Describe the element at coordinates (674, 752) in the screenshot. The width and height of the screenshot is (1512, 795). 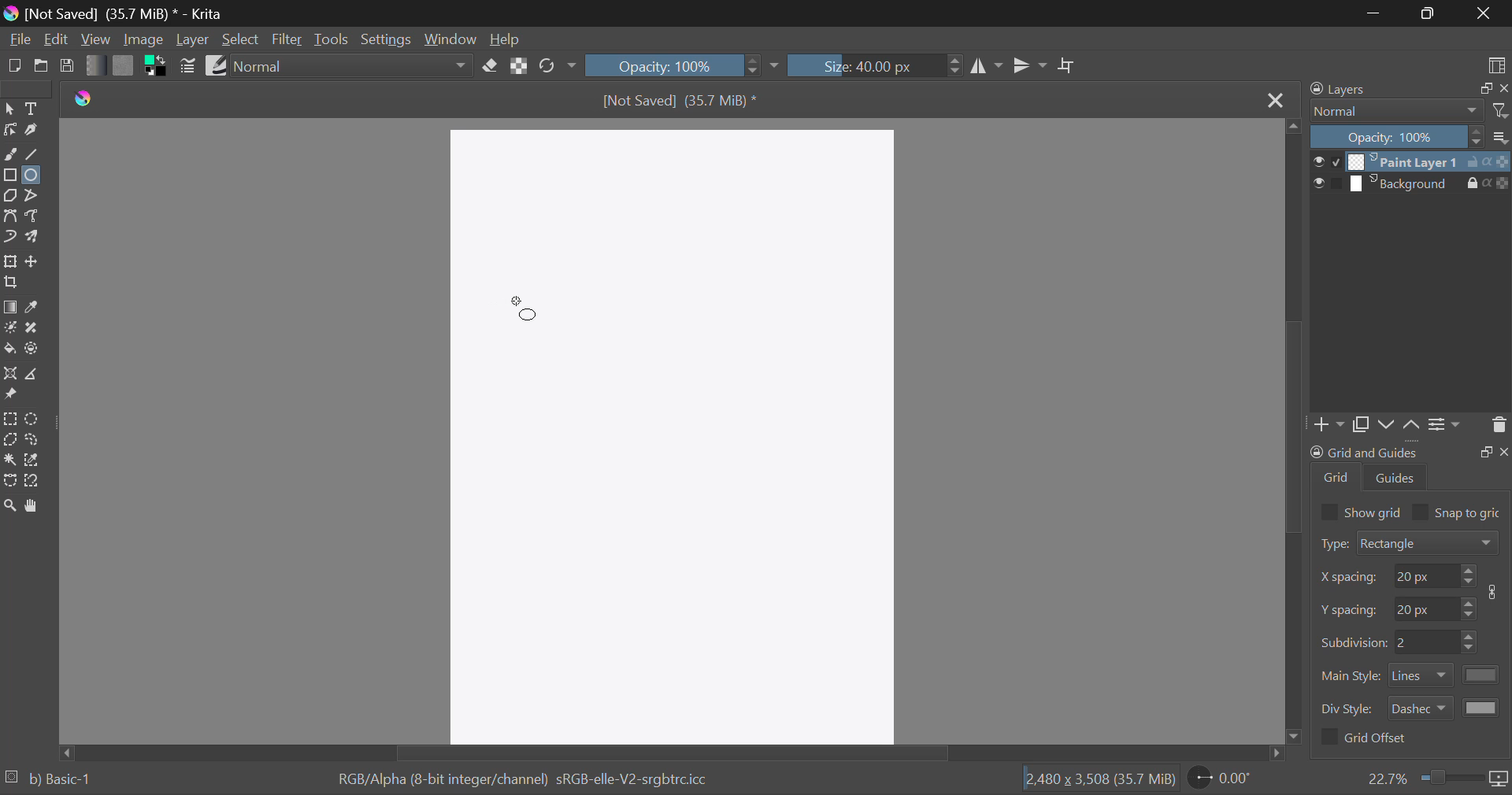
I see `Scroll Bar` at that location.